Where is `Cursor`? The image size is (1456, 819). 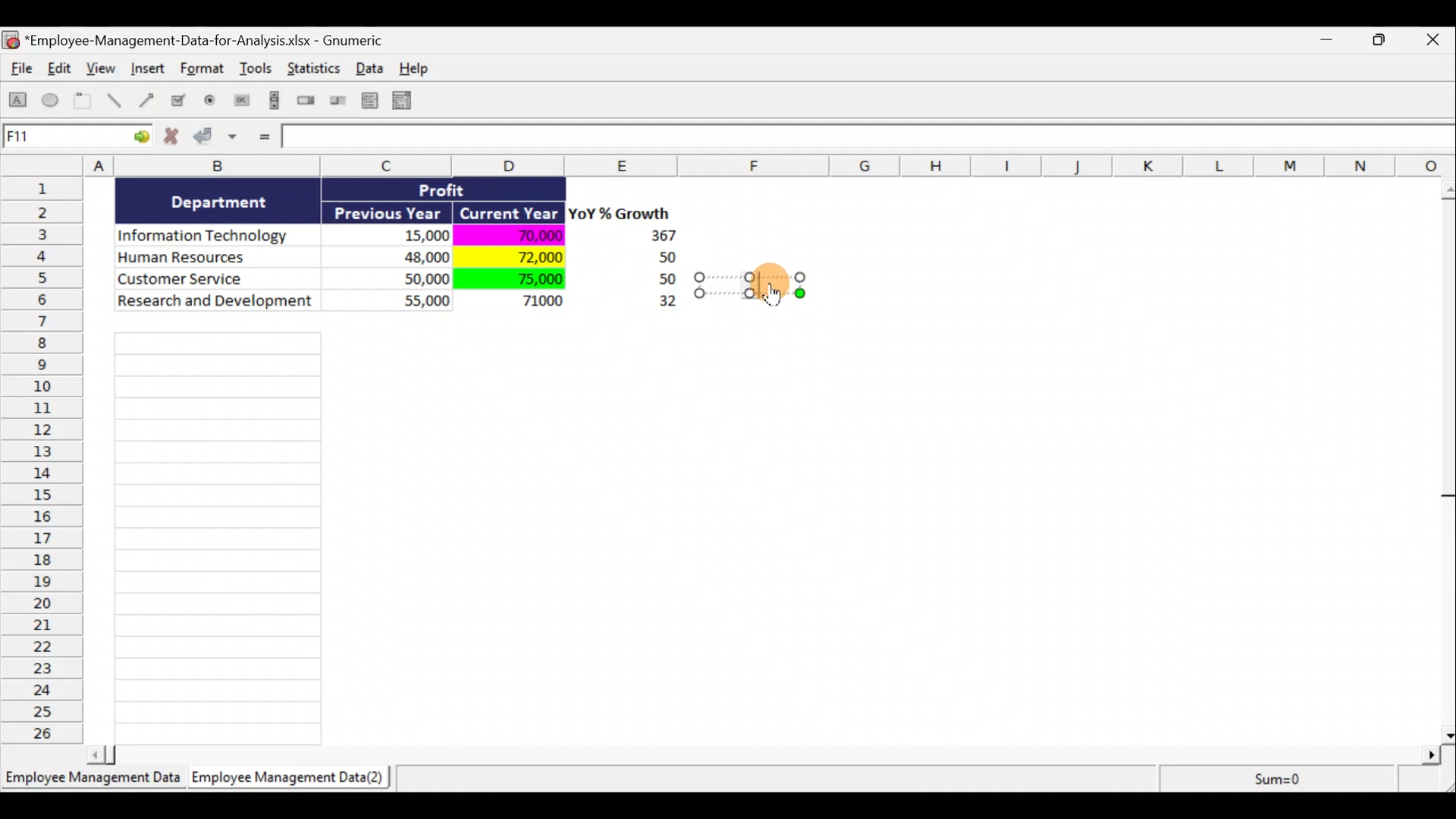
Cursor is located at coordinates (780, 294).